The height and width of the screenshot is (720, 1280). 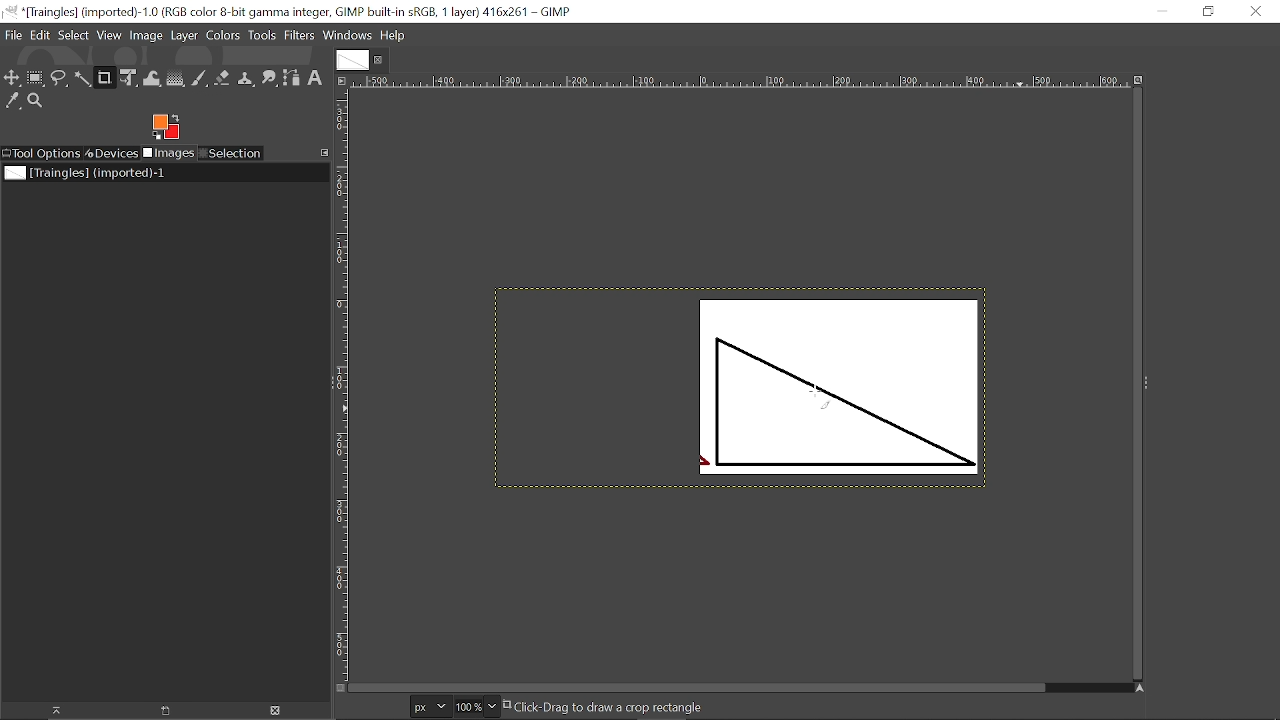 I want to click on Raise this image display, so click(x=54, y=710).